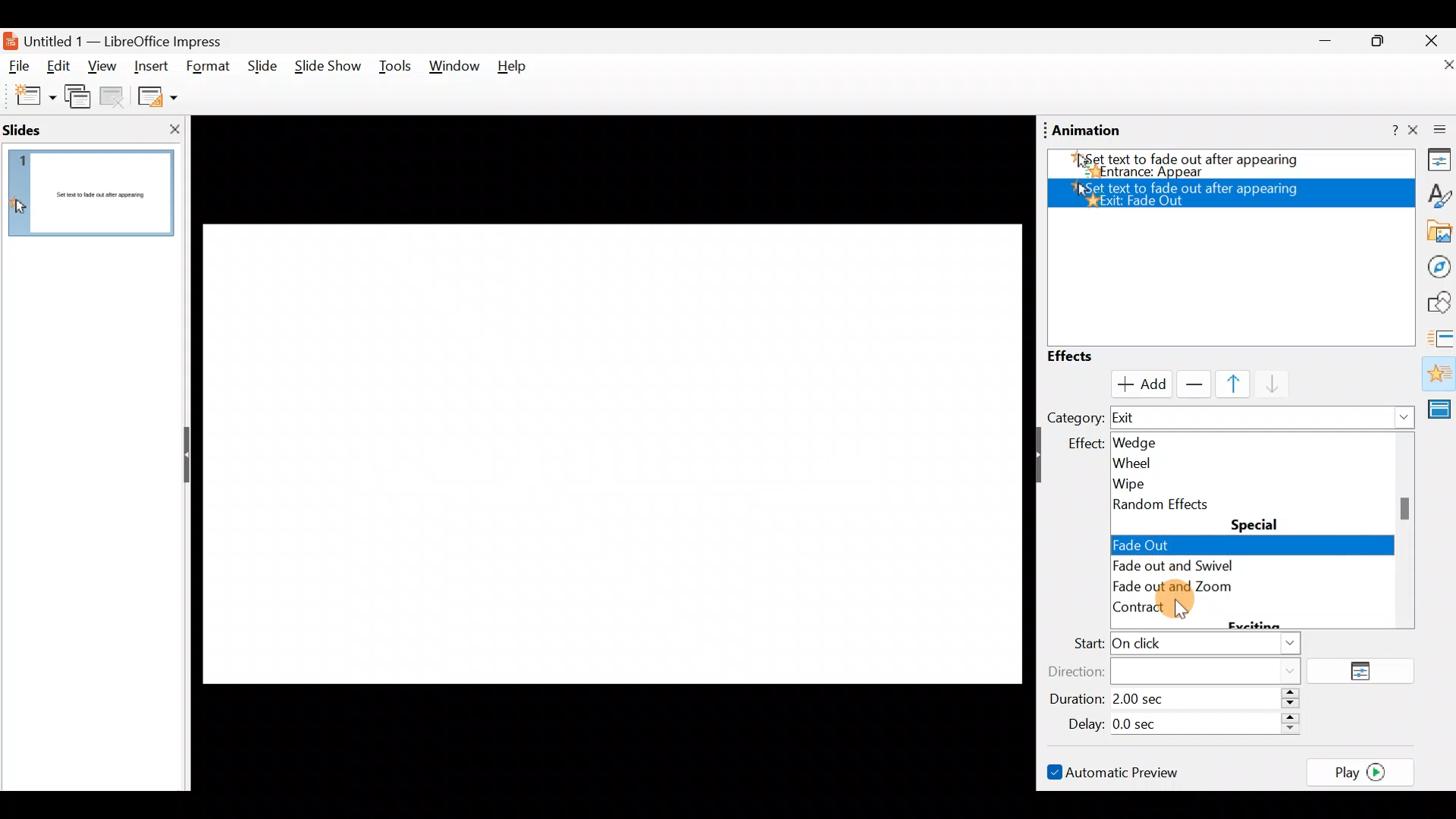  I want to click on Fade out effect added, so click(1237, 191).